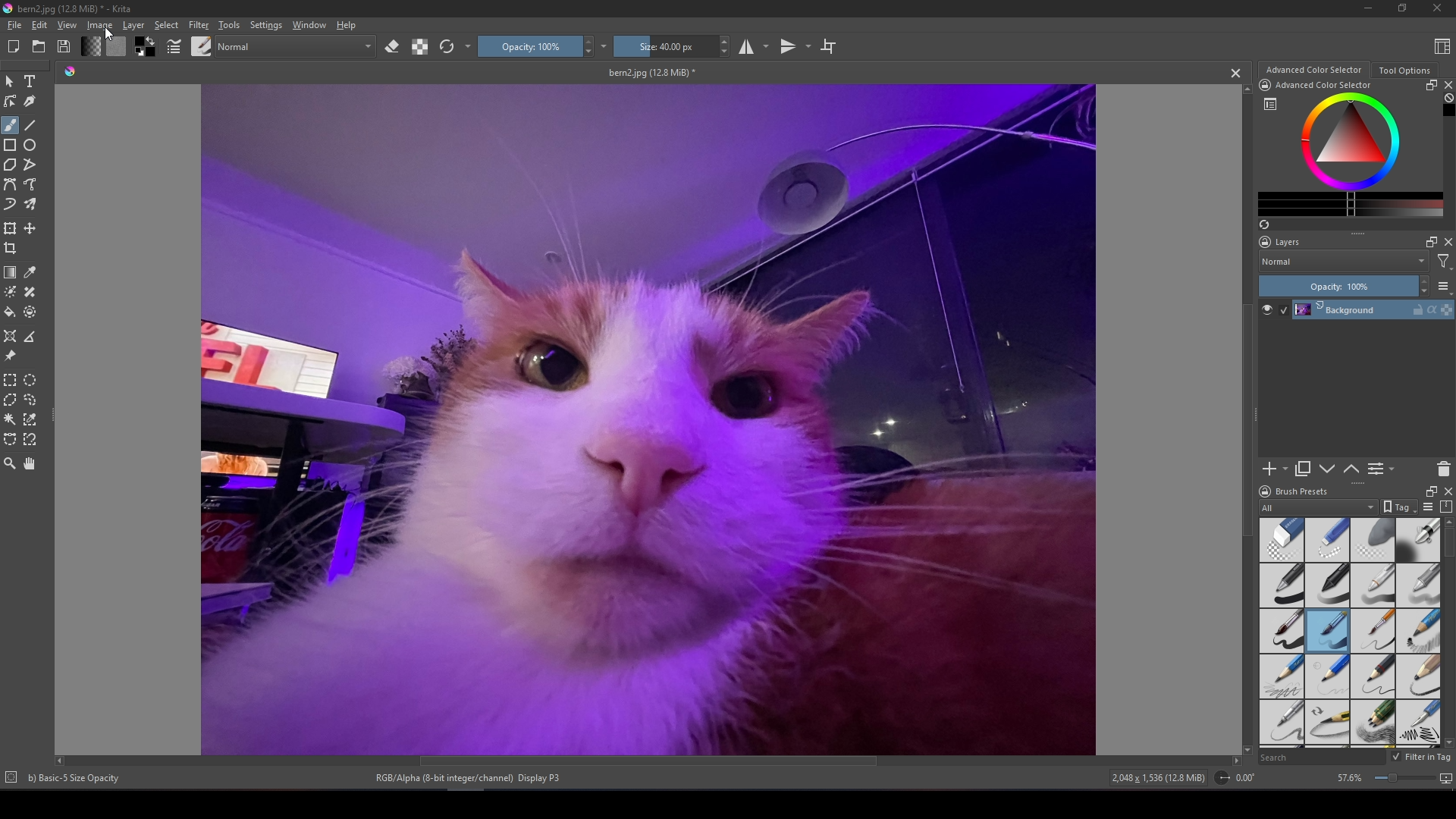 The height and width of the screenshot is (819, 1456). What do you see at coordinates (1324, 758) in the screenshot?
I see `Brush preset search` at bounding box center [1324, 758].